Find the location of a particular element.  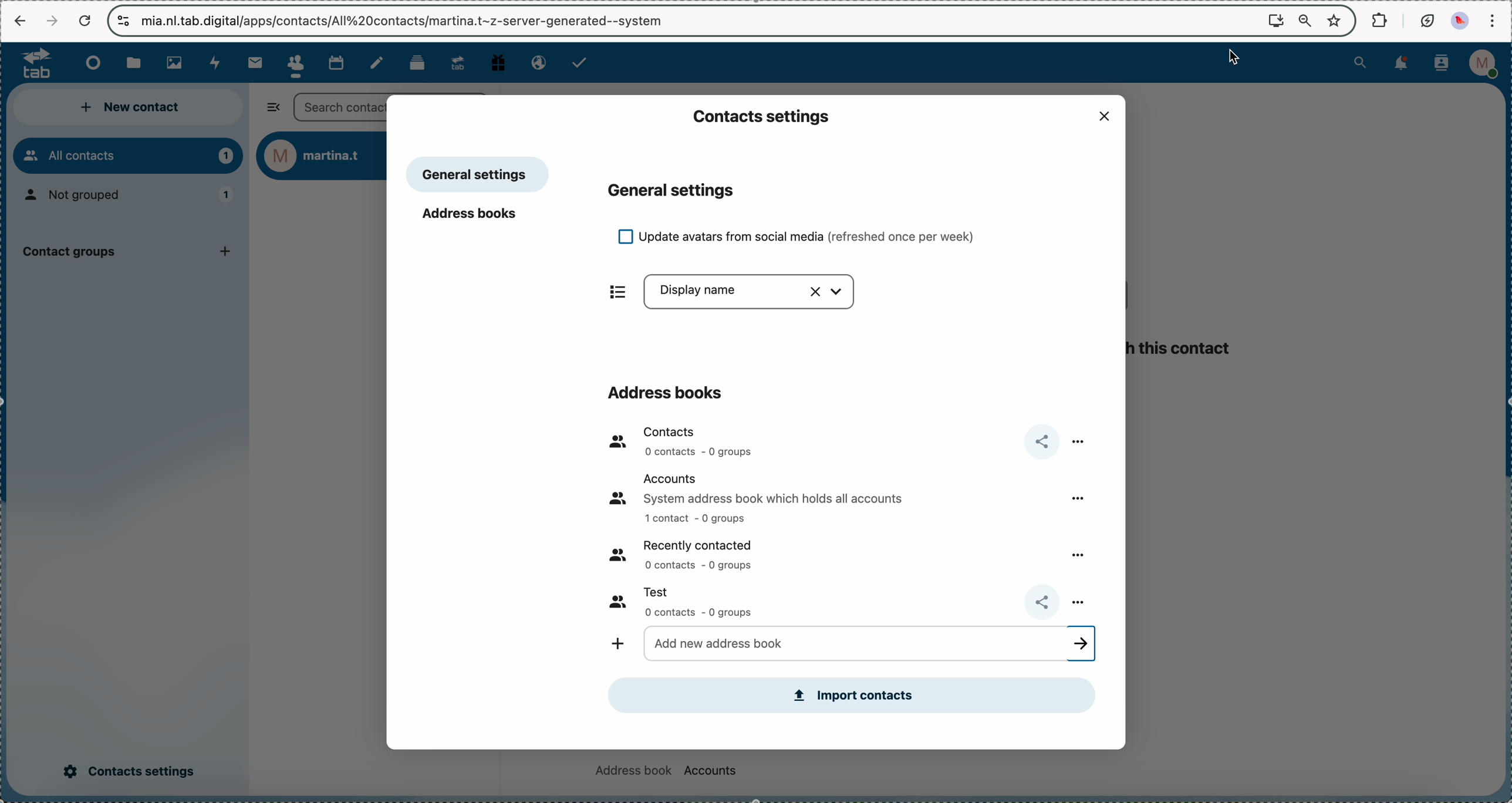

extensions is located at coordinates (1378, 20).